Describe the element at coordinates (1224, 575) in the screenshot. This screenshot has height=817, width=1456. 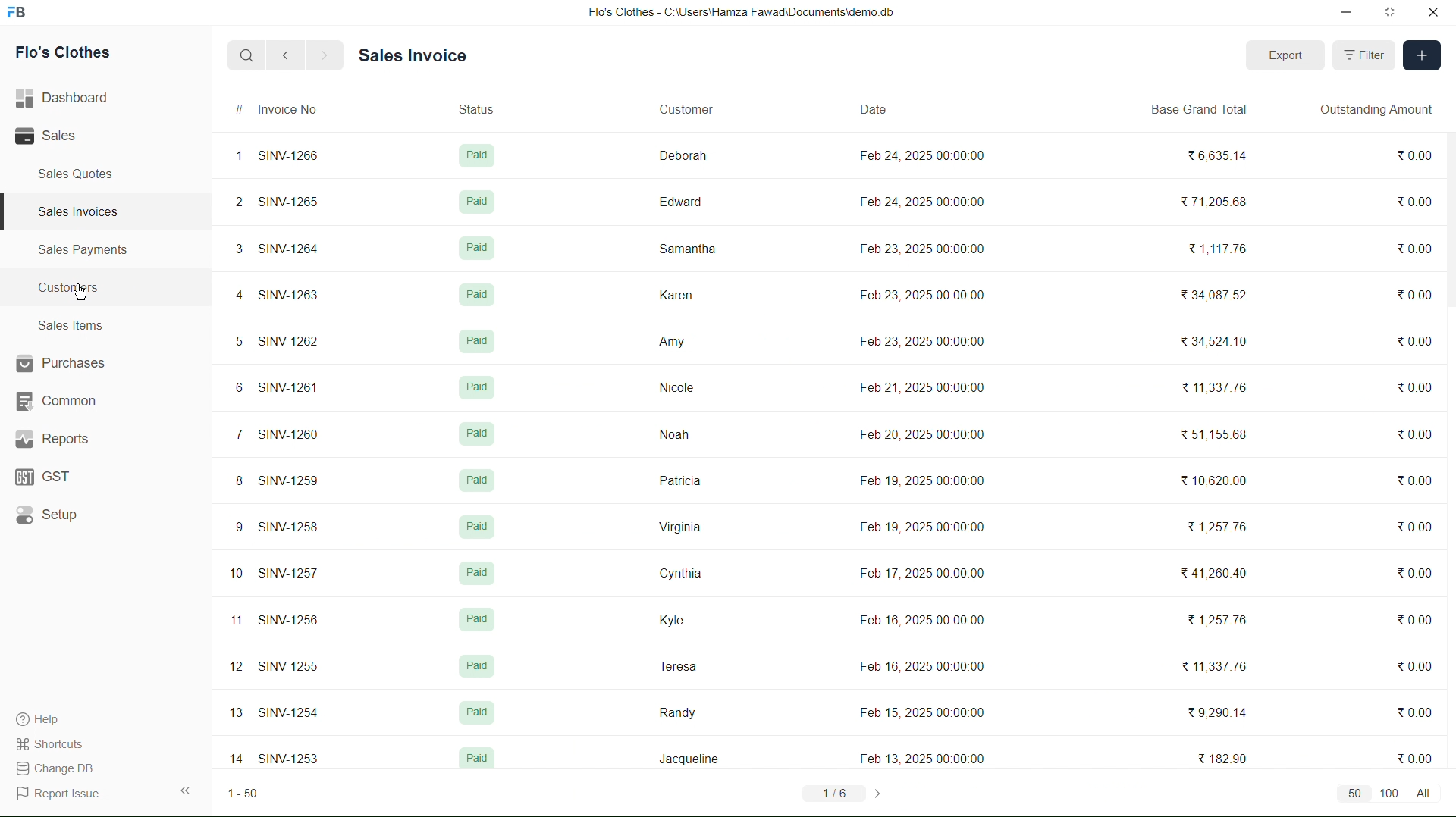
I see `41,260.40` at that location.